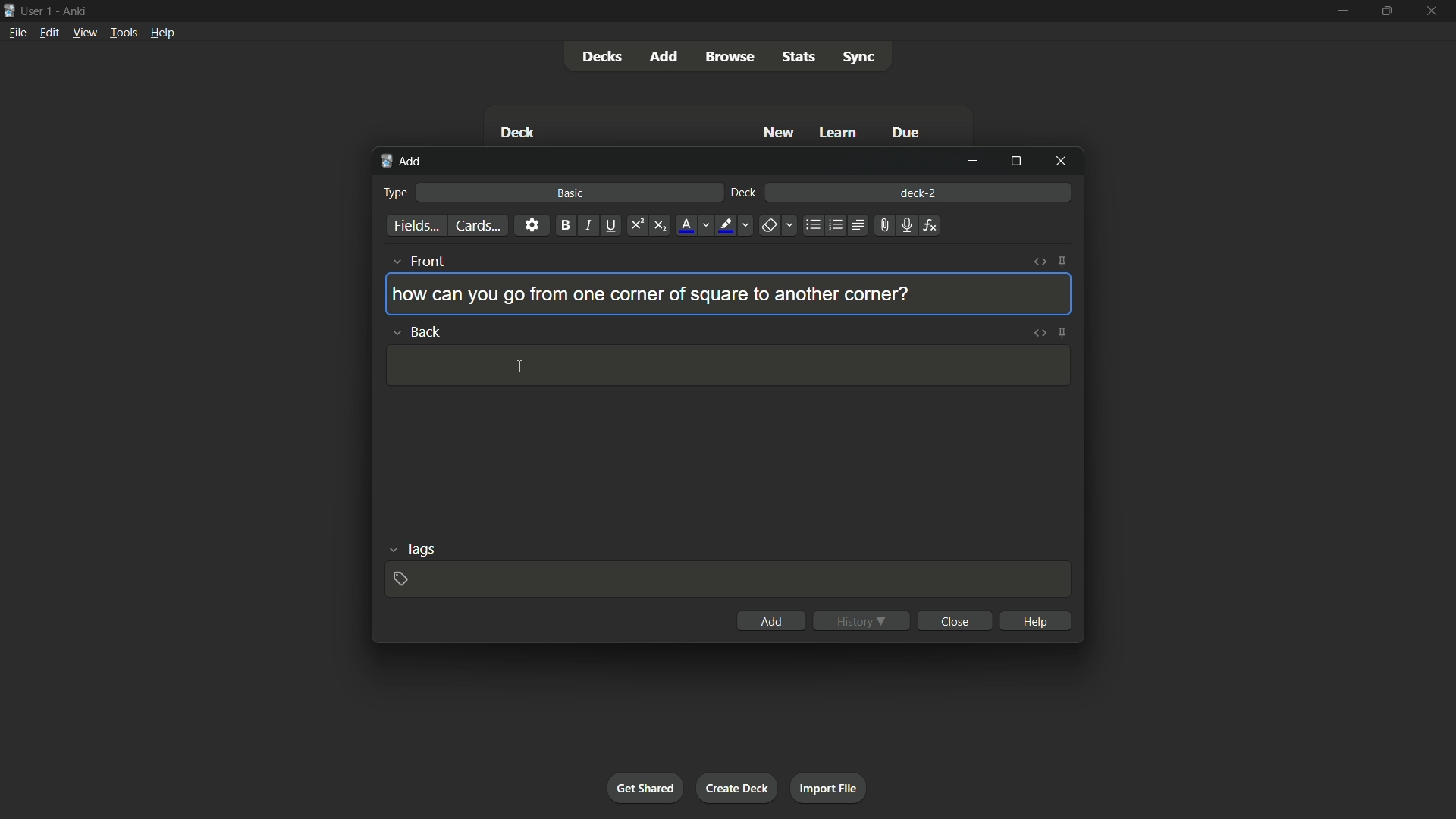 The width and height of the screenshot is (1456, 819). Describe the element at coordinates (532, 226) in the screenshot. I see `settings` at that location.